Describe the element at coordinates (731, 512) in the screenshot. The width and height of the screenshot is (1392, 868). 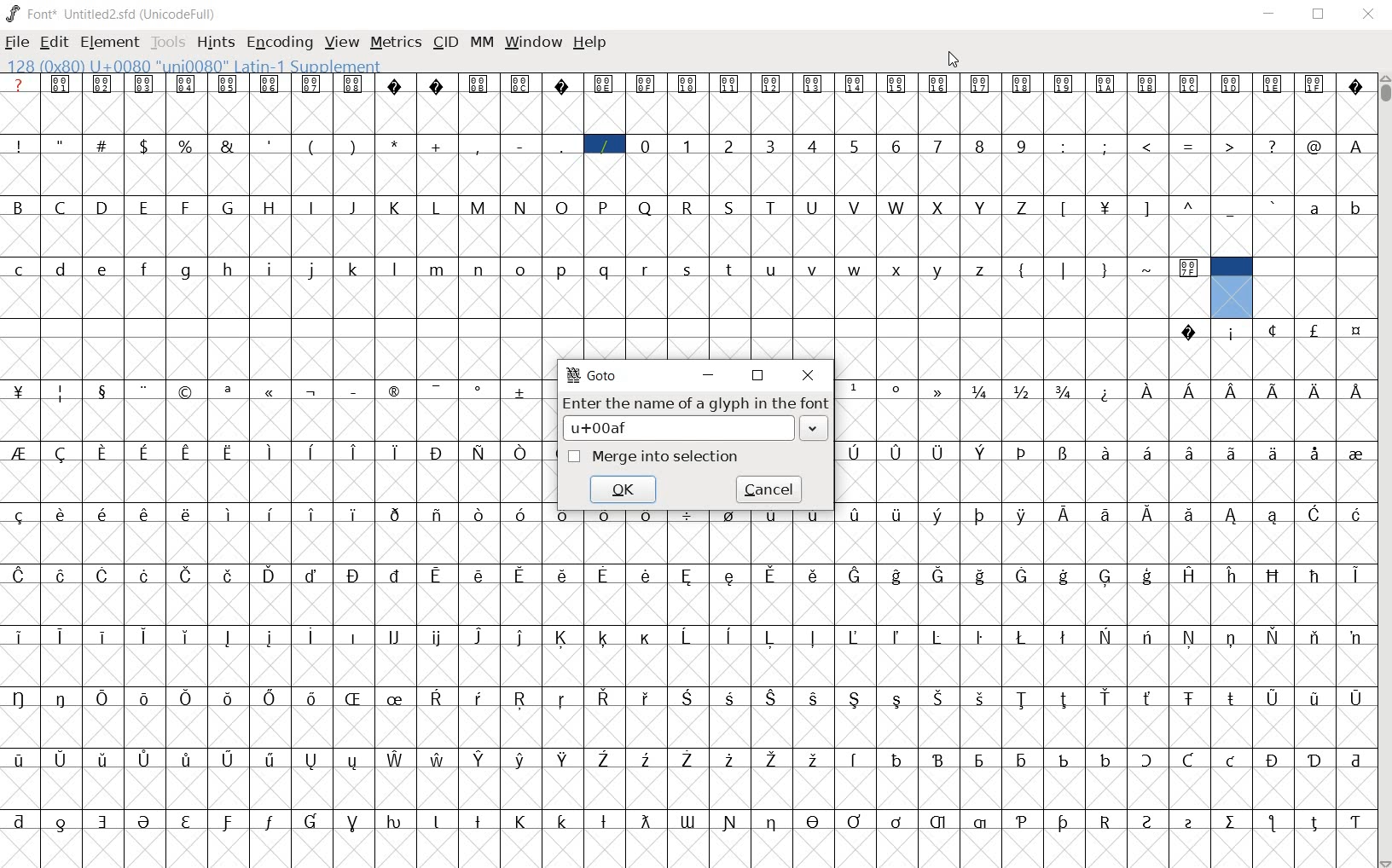
I see `Symbol` at that location.